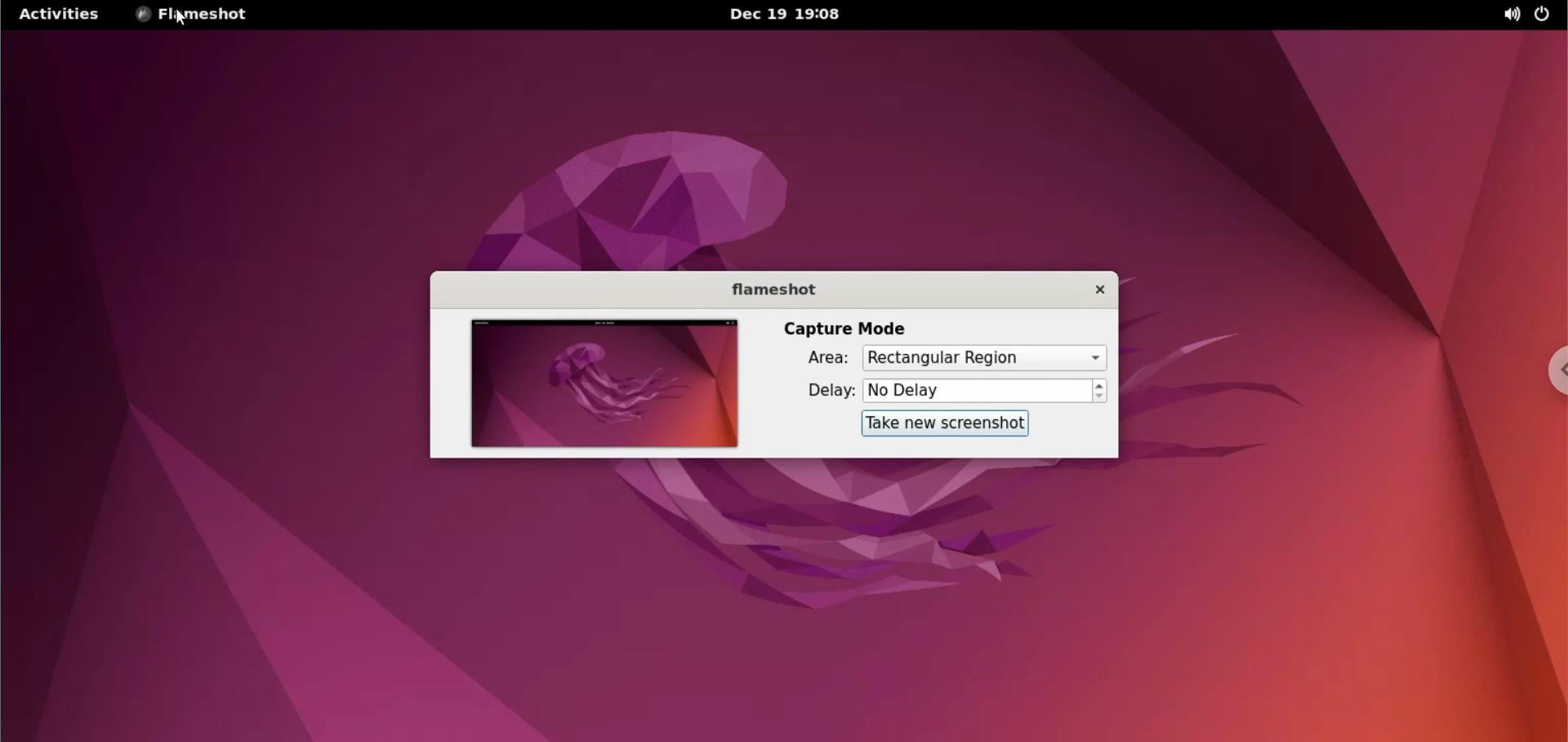 The width and height of the screenshot is (1568, 742). Describe the element at coordinates (812, 358) in the screenshot. I see `area:` at that location.